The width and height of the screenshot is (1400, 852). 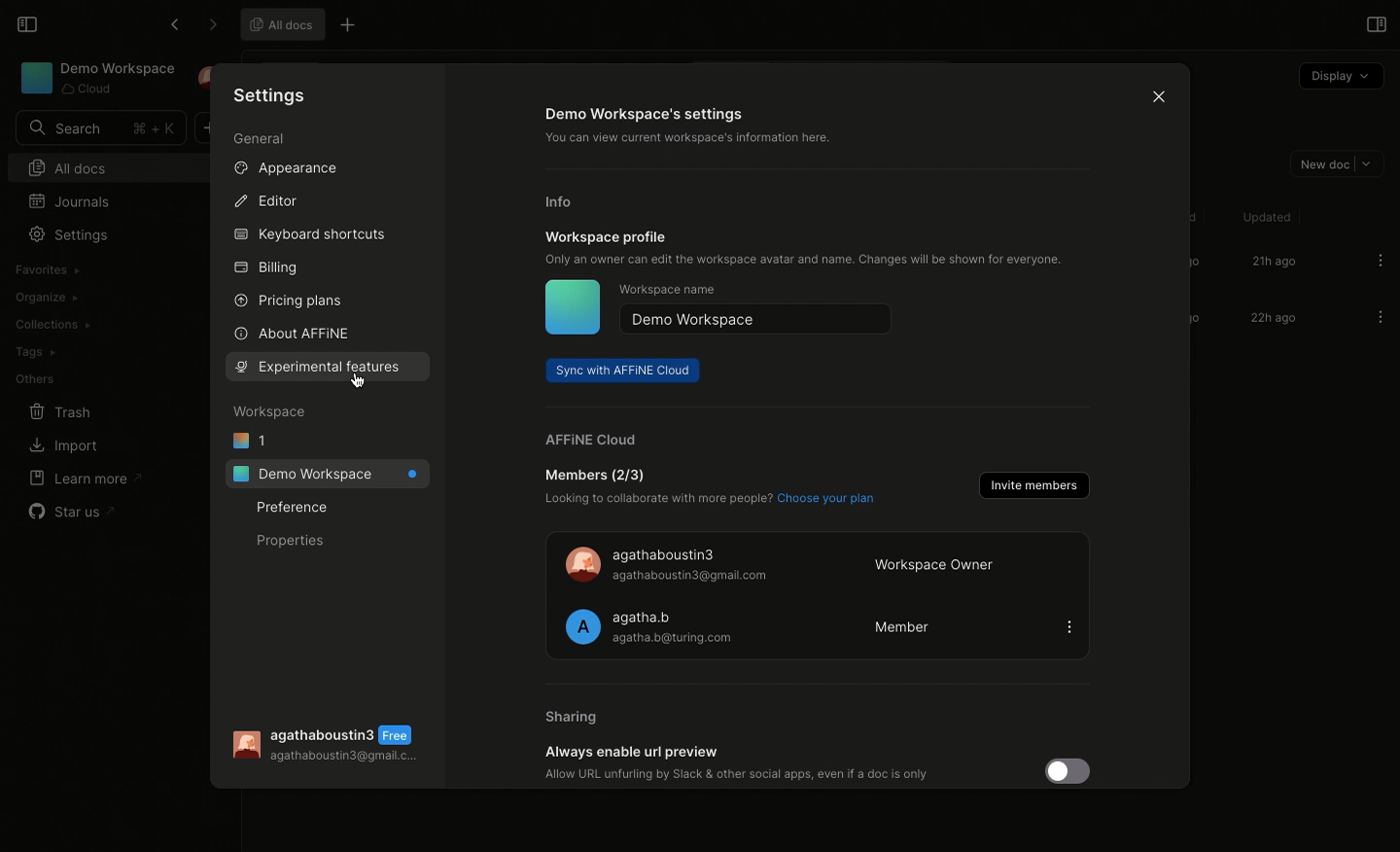 I want to click on Trash, so click(x=60, y=412).